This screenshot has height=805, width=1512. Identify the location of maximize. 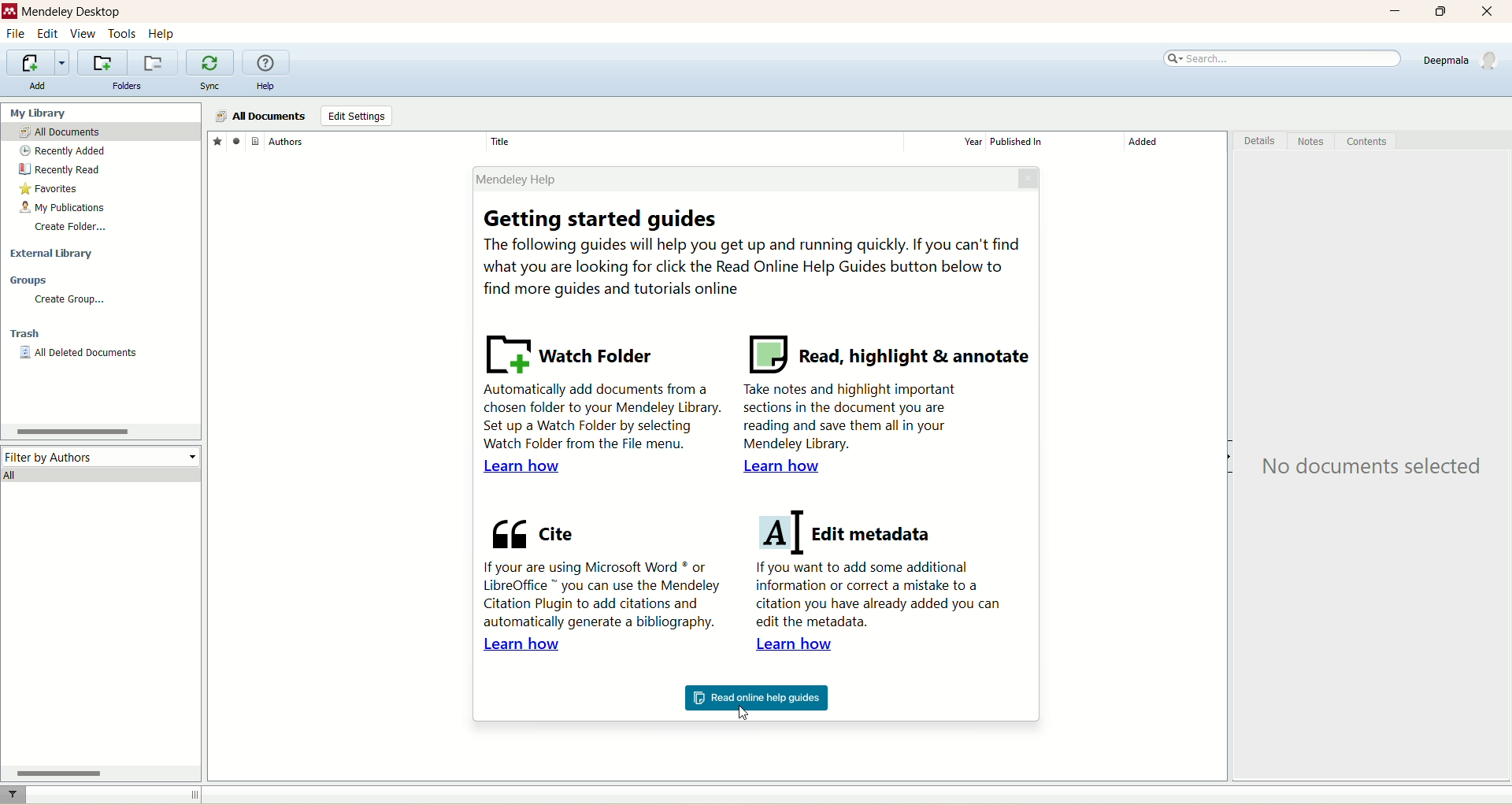
(1442, 12).